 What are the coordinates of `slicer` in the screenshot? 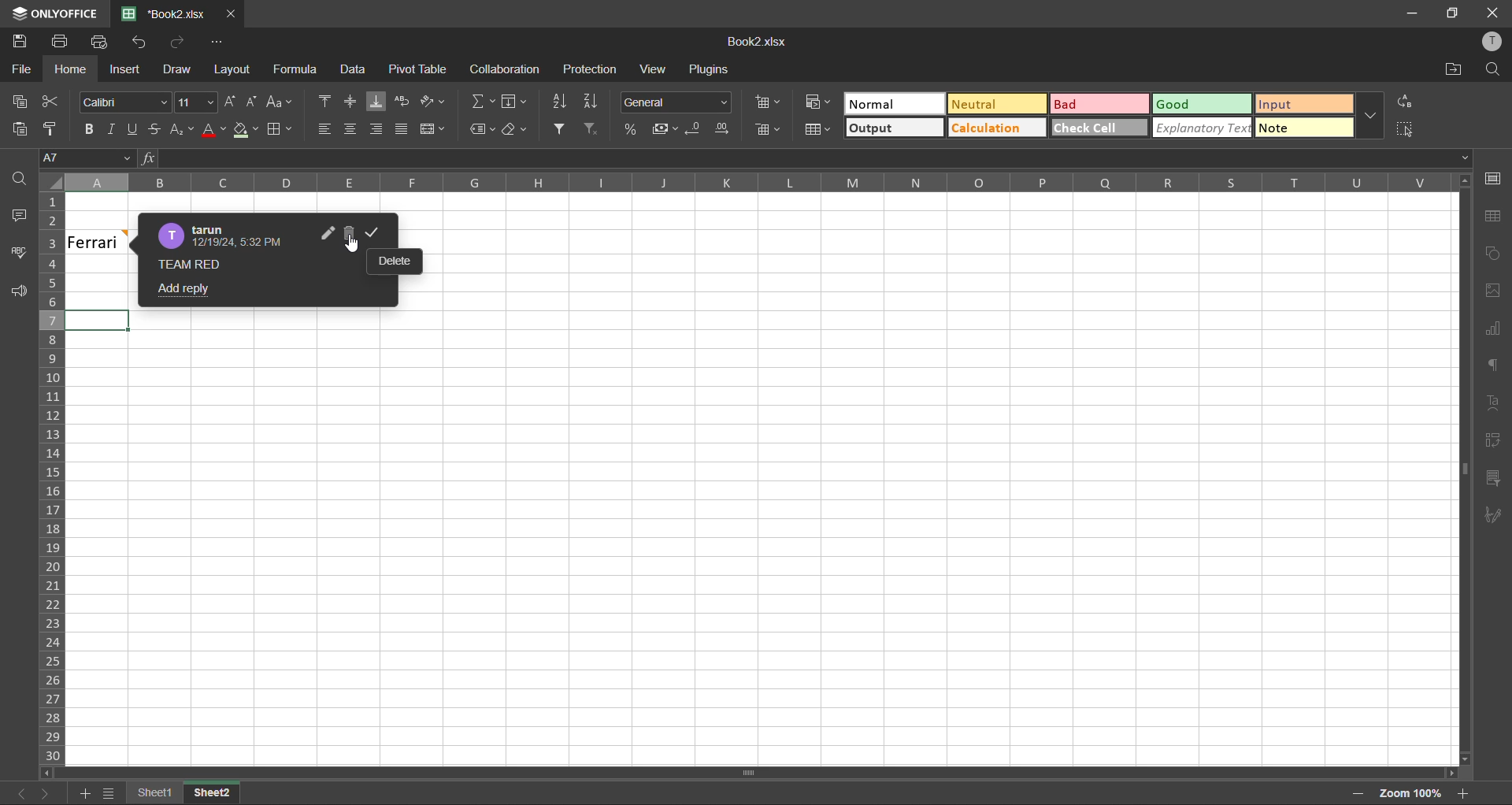 It's located at (1492, 479).